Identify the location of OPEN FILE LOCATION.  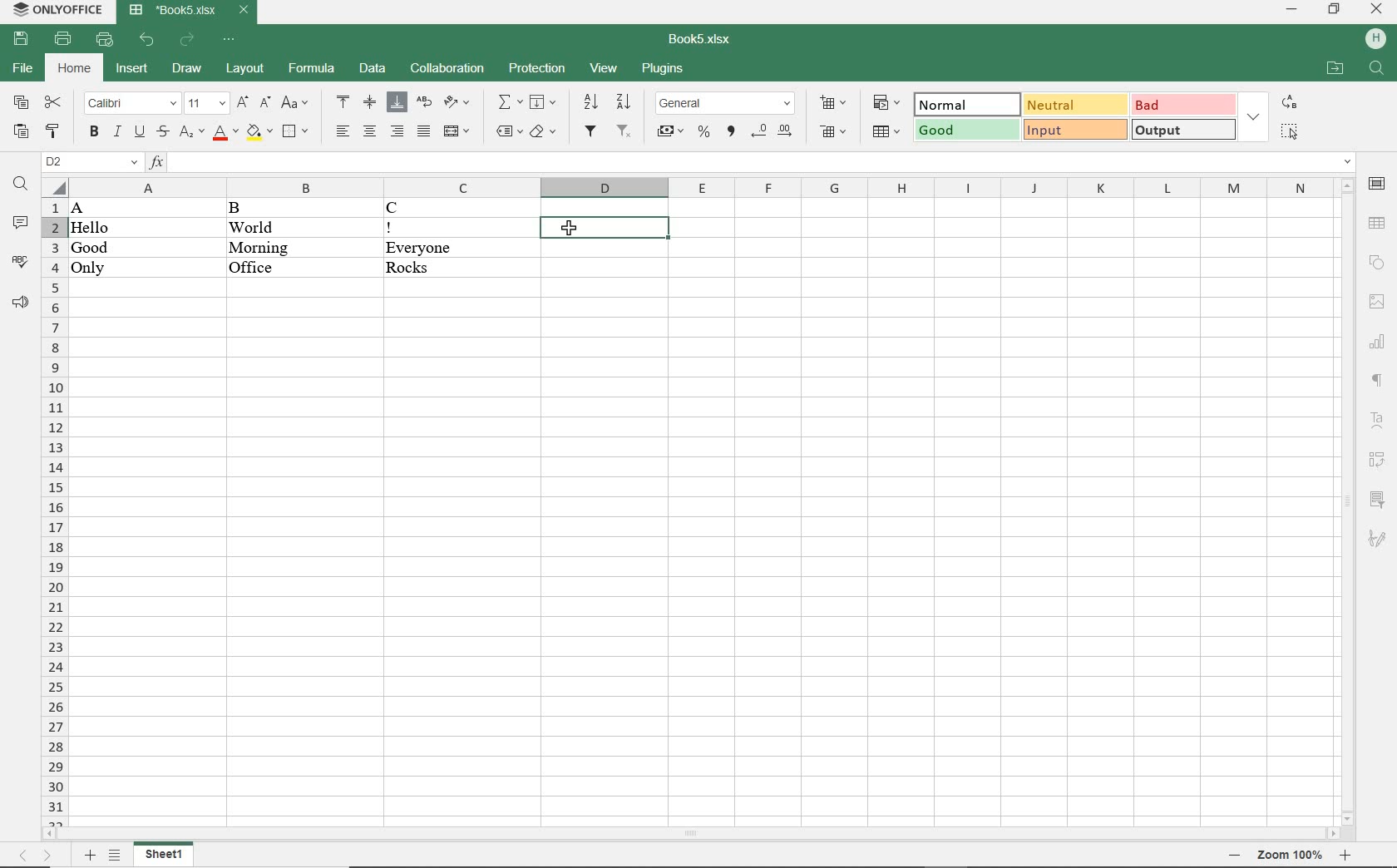
(1335, 69).